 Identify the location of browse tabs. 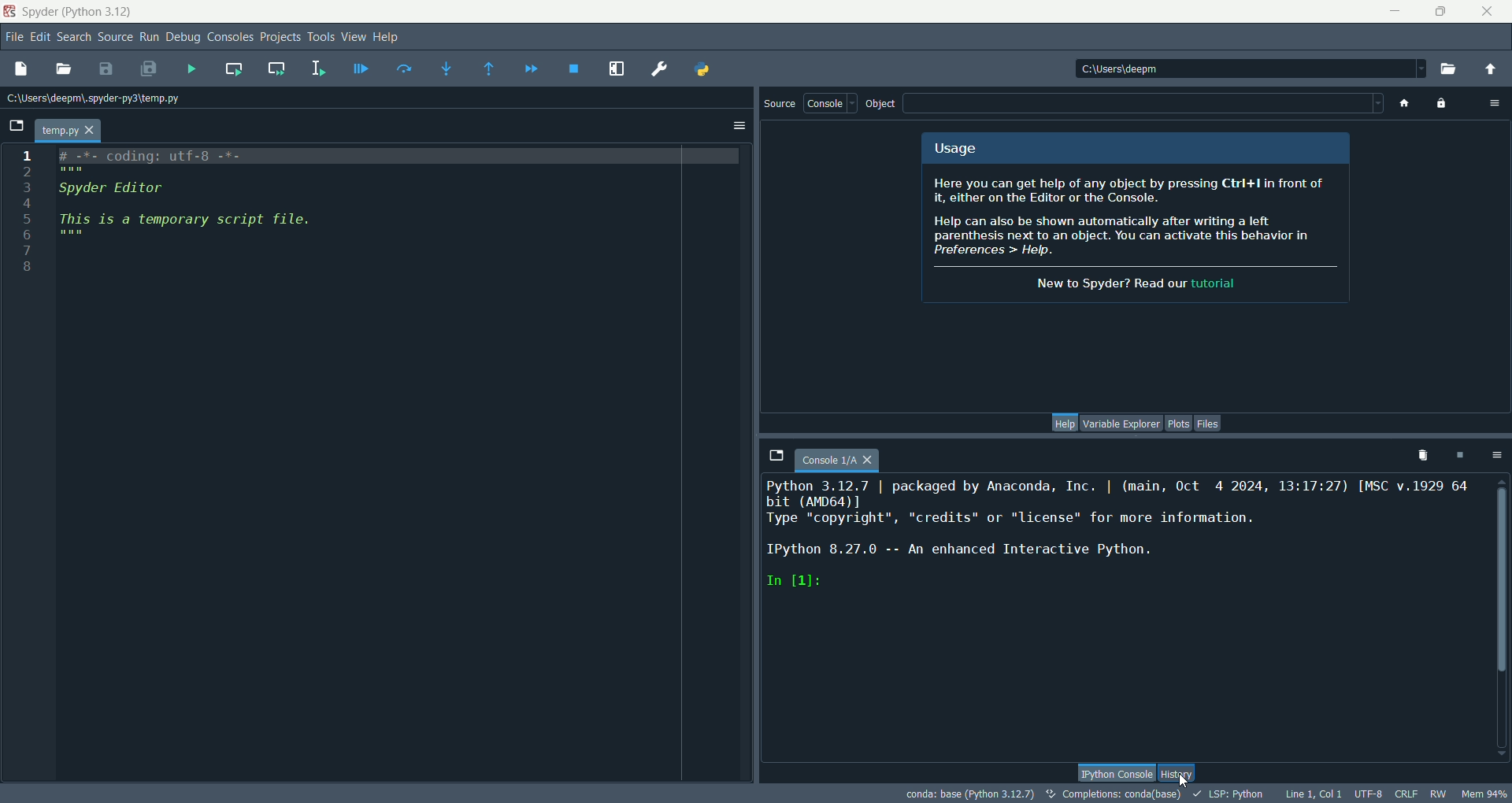
(16, 128).